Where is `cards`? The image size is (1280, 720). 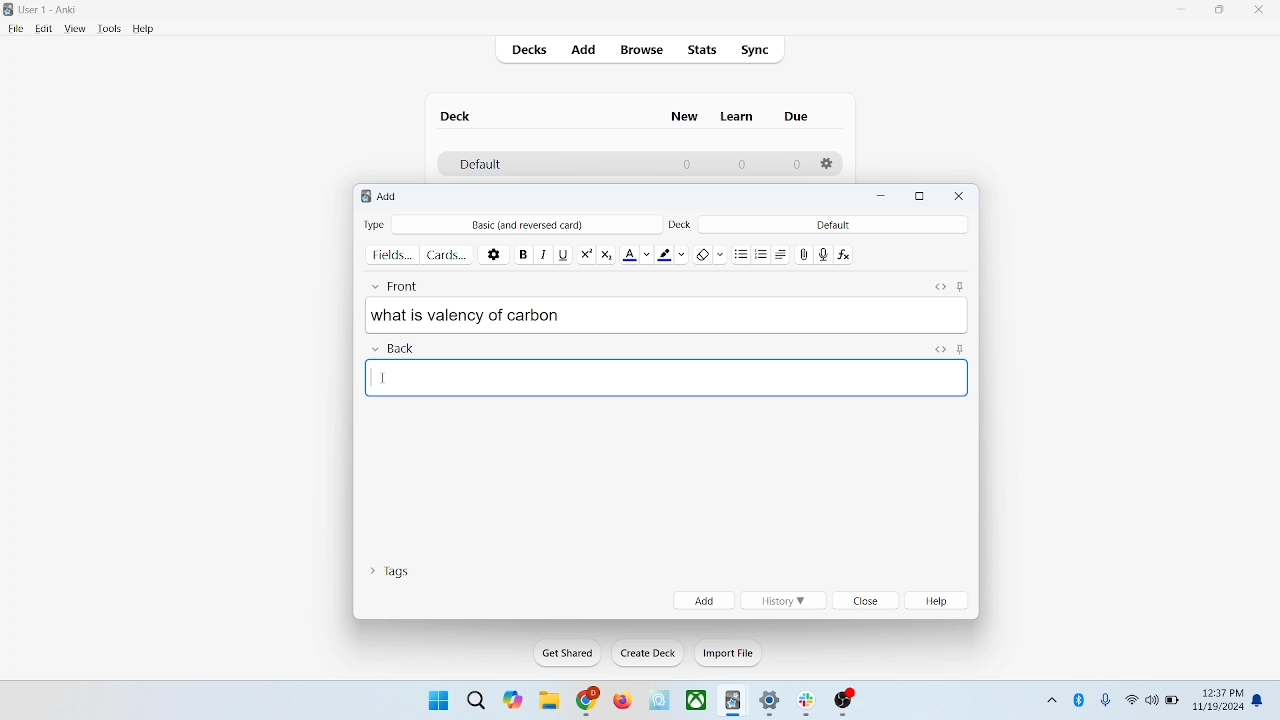
cards is located at coordinates (447, 254).